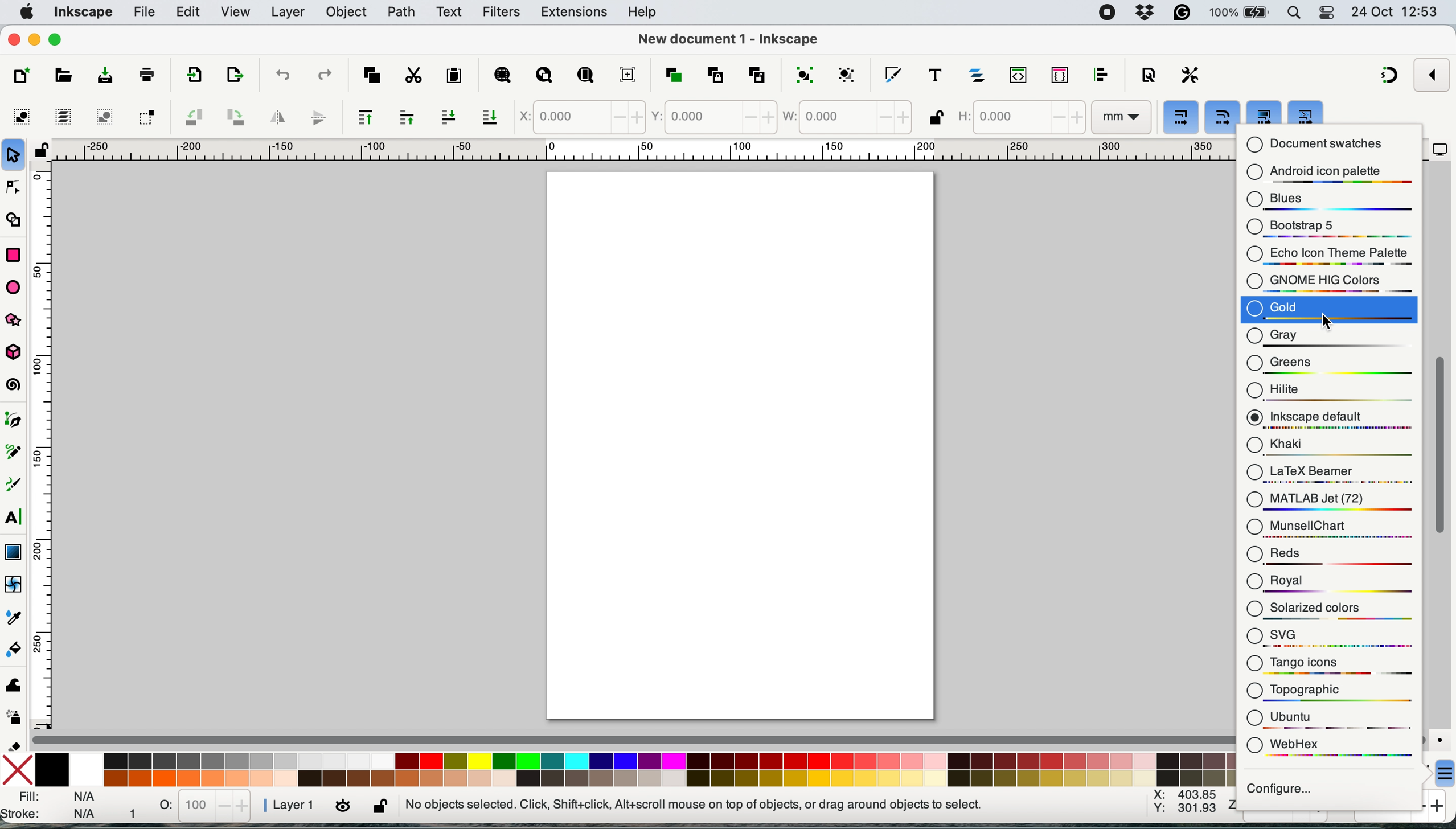 The image size is (1456, 829). What do you see at coordinates (982, 72) in the screenshot?
I see `layers and objects` at bounding box center [982, 72].